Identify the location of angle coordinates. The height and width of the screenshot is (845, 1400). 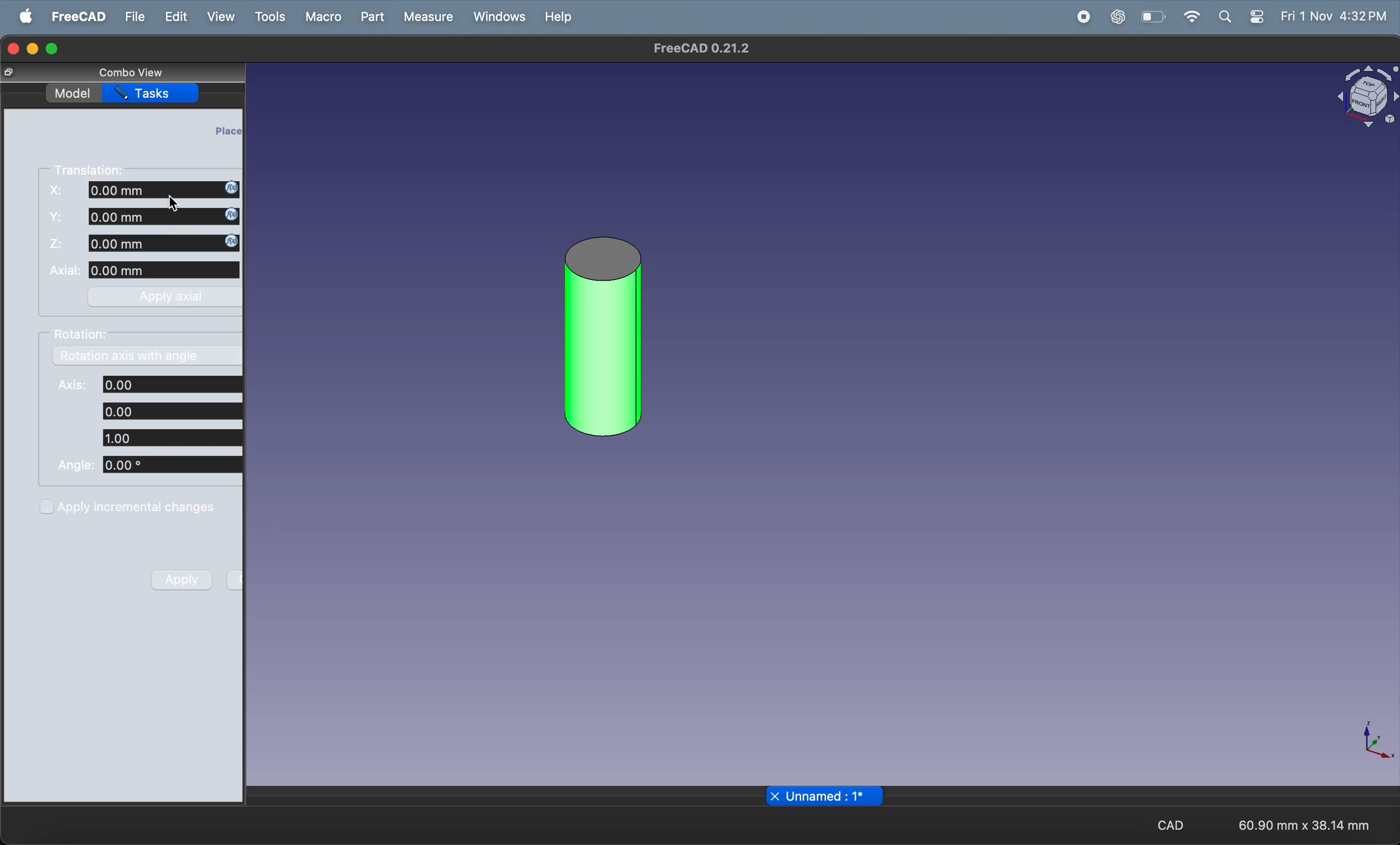
(170, 465).